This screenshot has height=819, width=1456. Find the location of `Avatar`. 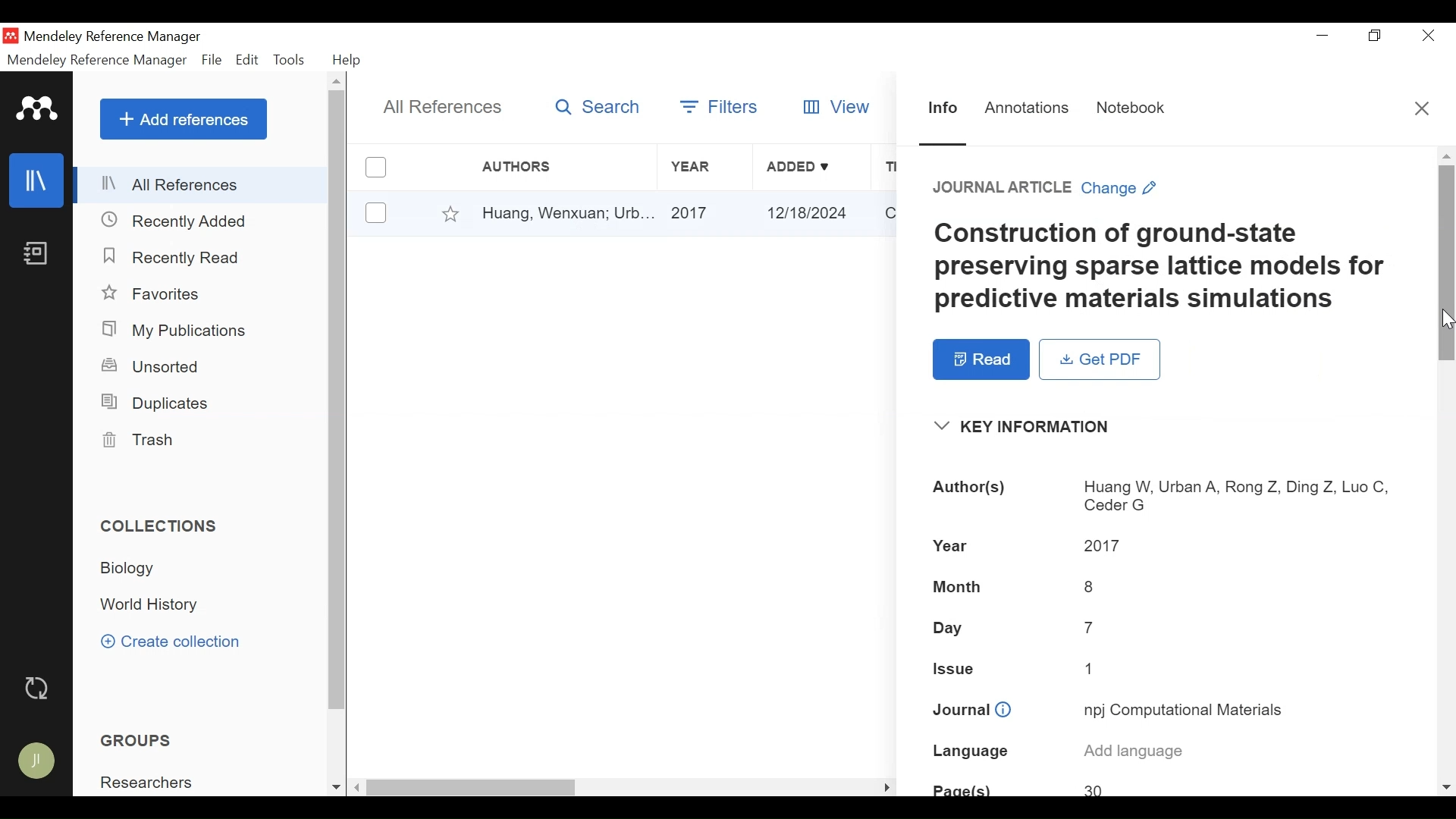

Avatar is located at coordinates (36, 761).